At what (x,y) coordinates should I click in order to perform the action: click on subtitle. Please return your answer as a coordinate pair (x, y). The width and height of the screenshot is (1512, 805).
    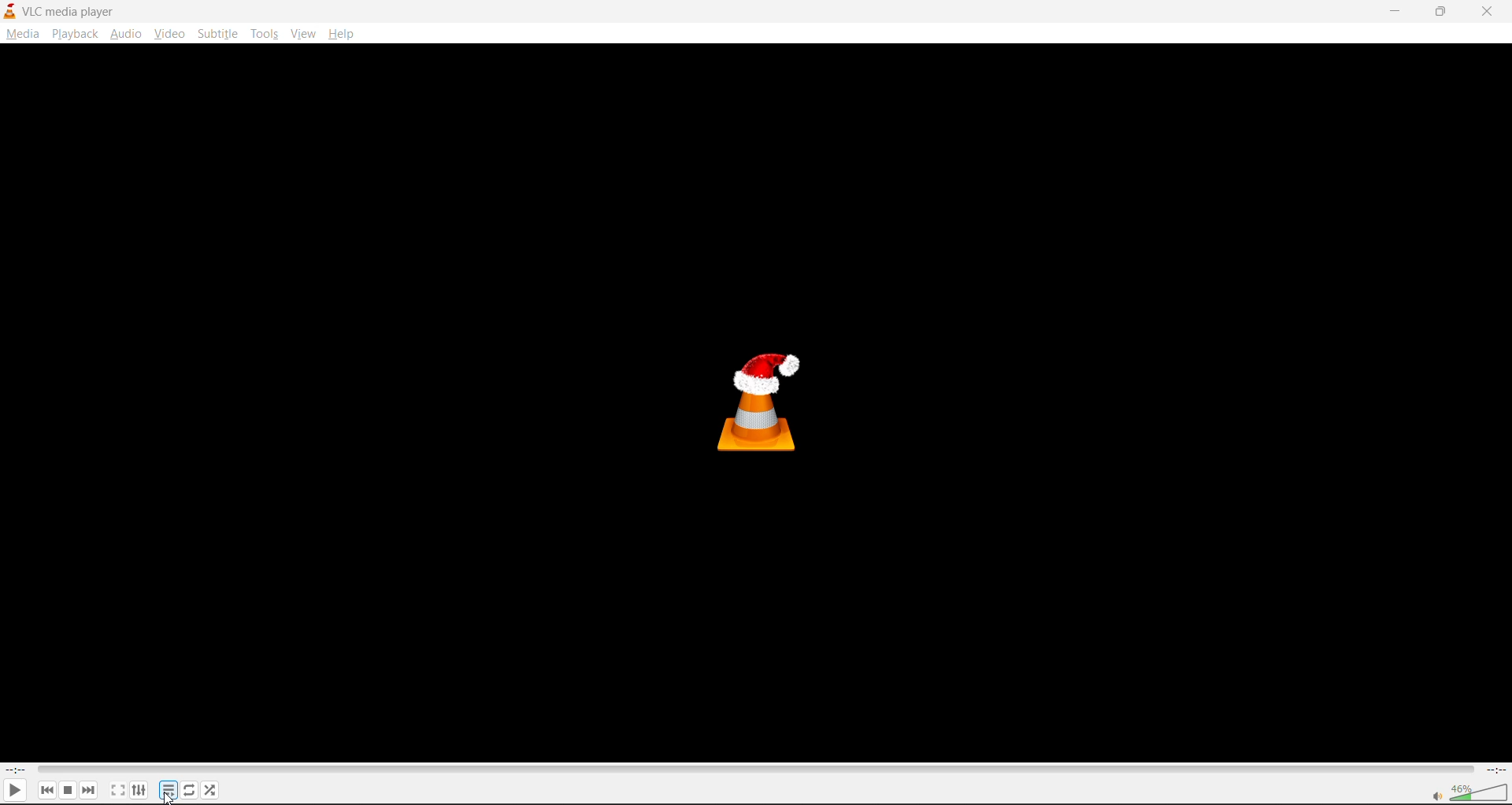
    Looking at the image, I should click on (220, 34).